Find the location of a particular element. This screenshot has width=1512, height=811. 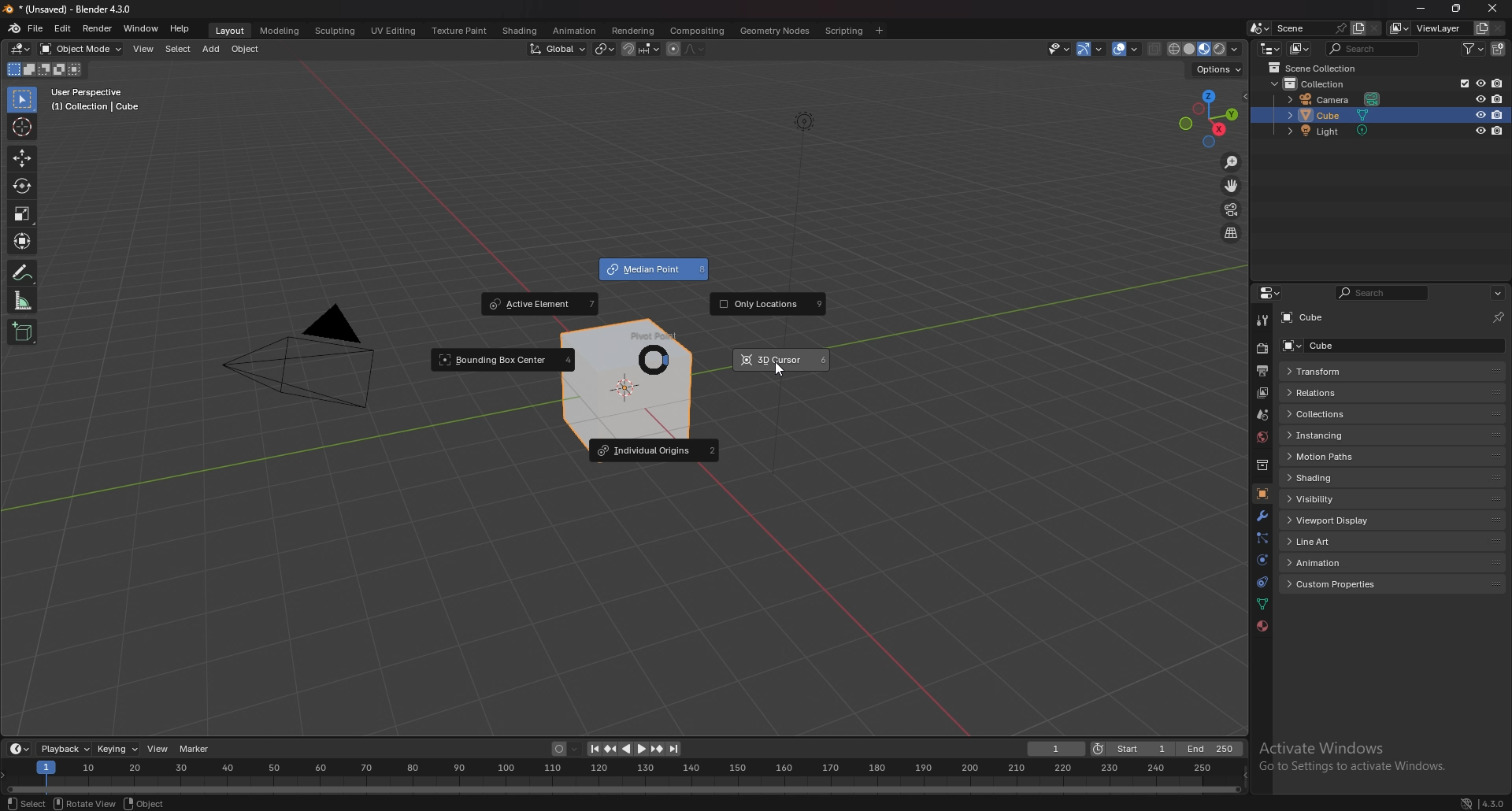

world is located at coordinates (1261, 437).